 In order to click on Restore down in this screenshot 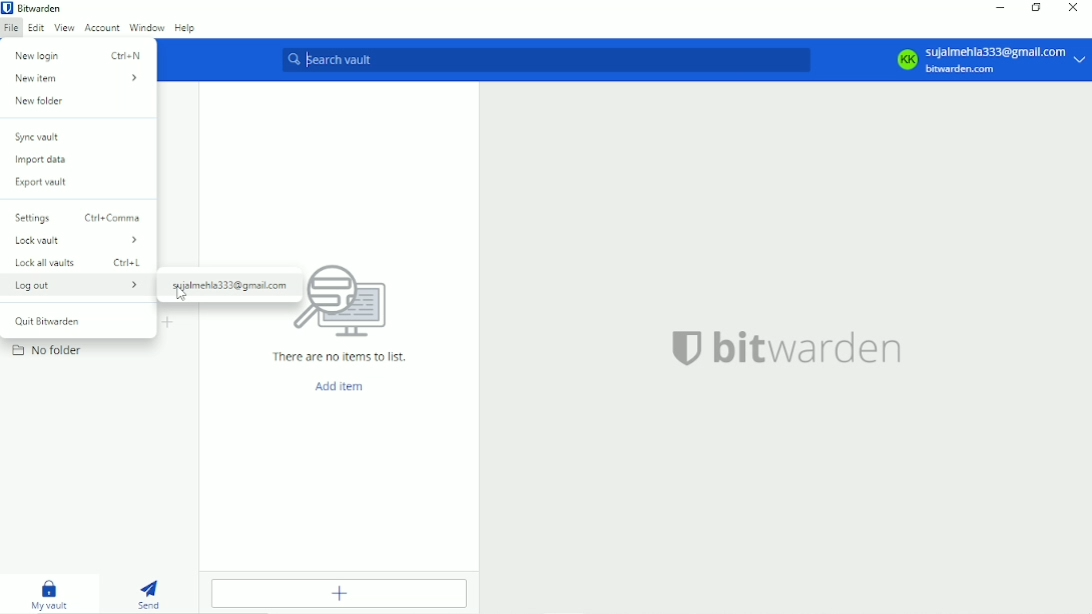, I will do `click(1038, 9)`.